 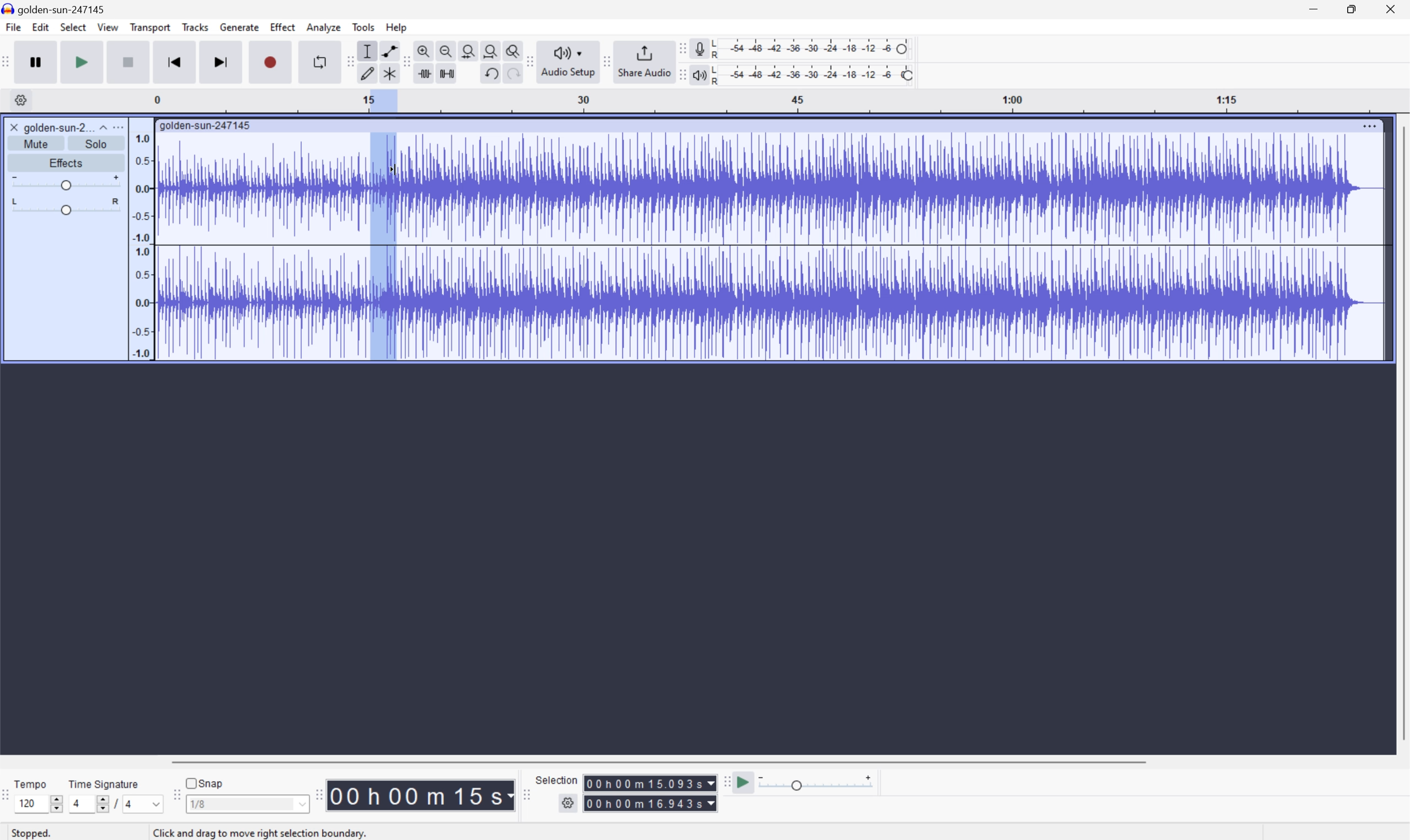 What do you see at coordinates (397, 27) in the screenshot?
I see `Help` at bounding box center [397, 27].